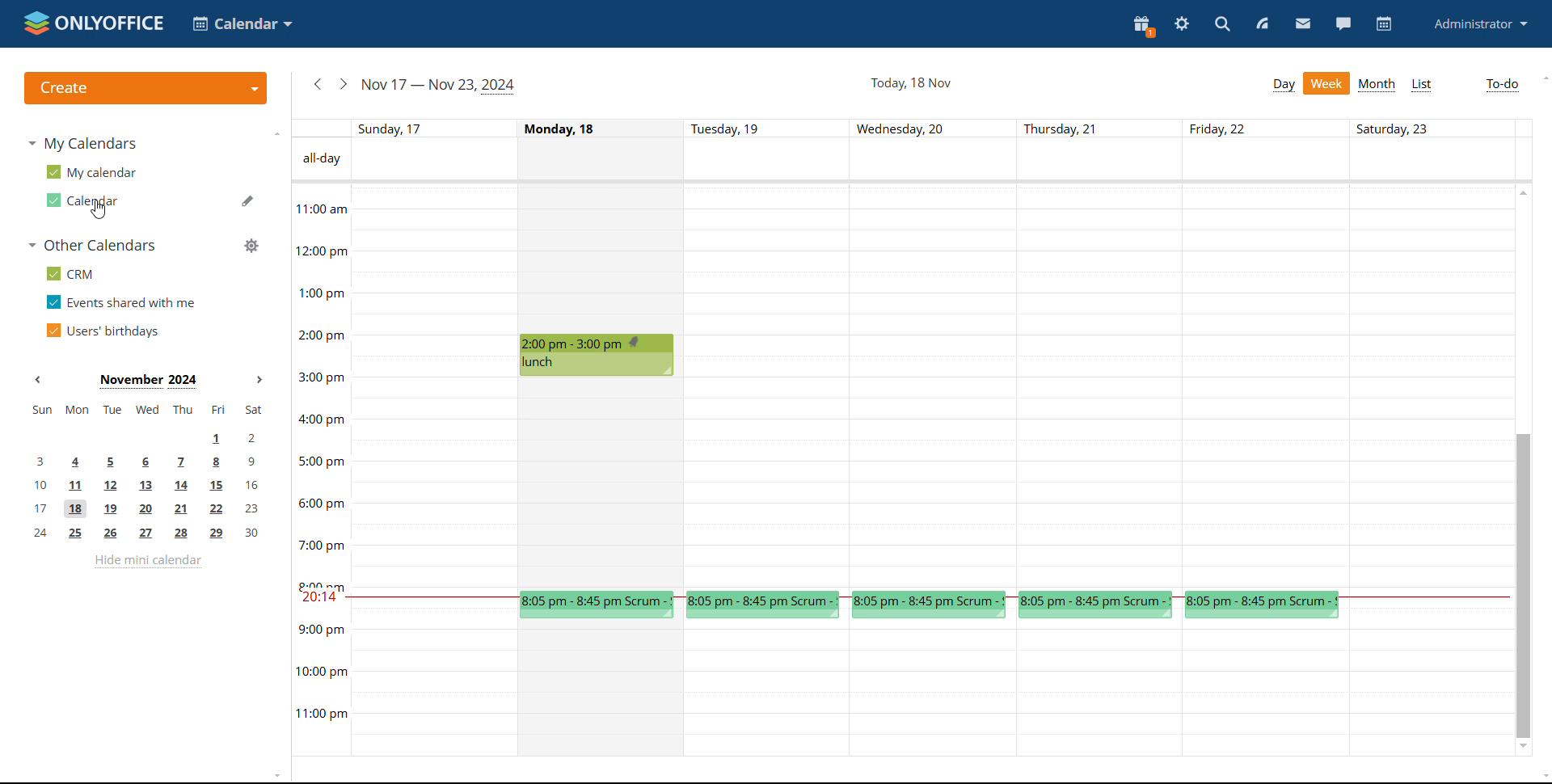 Image resolution: width=1552 pixels, height=784 pixels. I want to click on saturday, so click(1430, 471).